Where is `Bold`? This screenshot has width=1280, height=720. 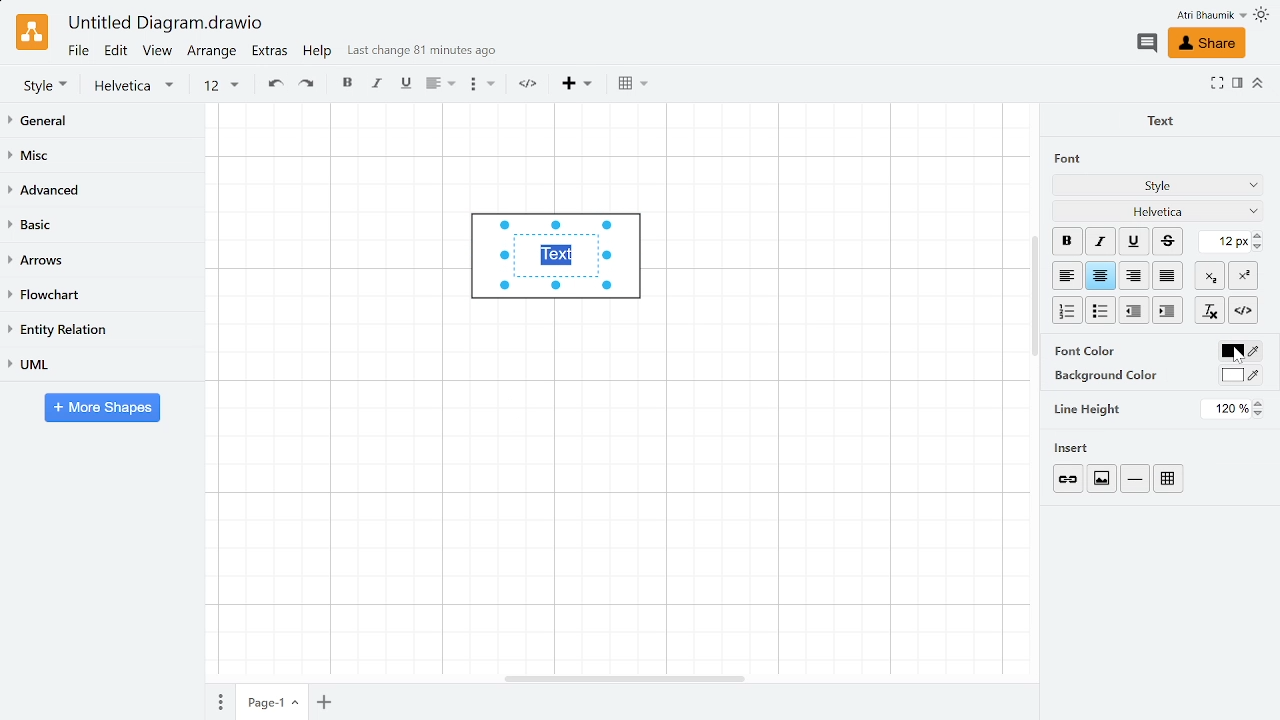
Bold is located at coordinates (1067, 241).